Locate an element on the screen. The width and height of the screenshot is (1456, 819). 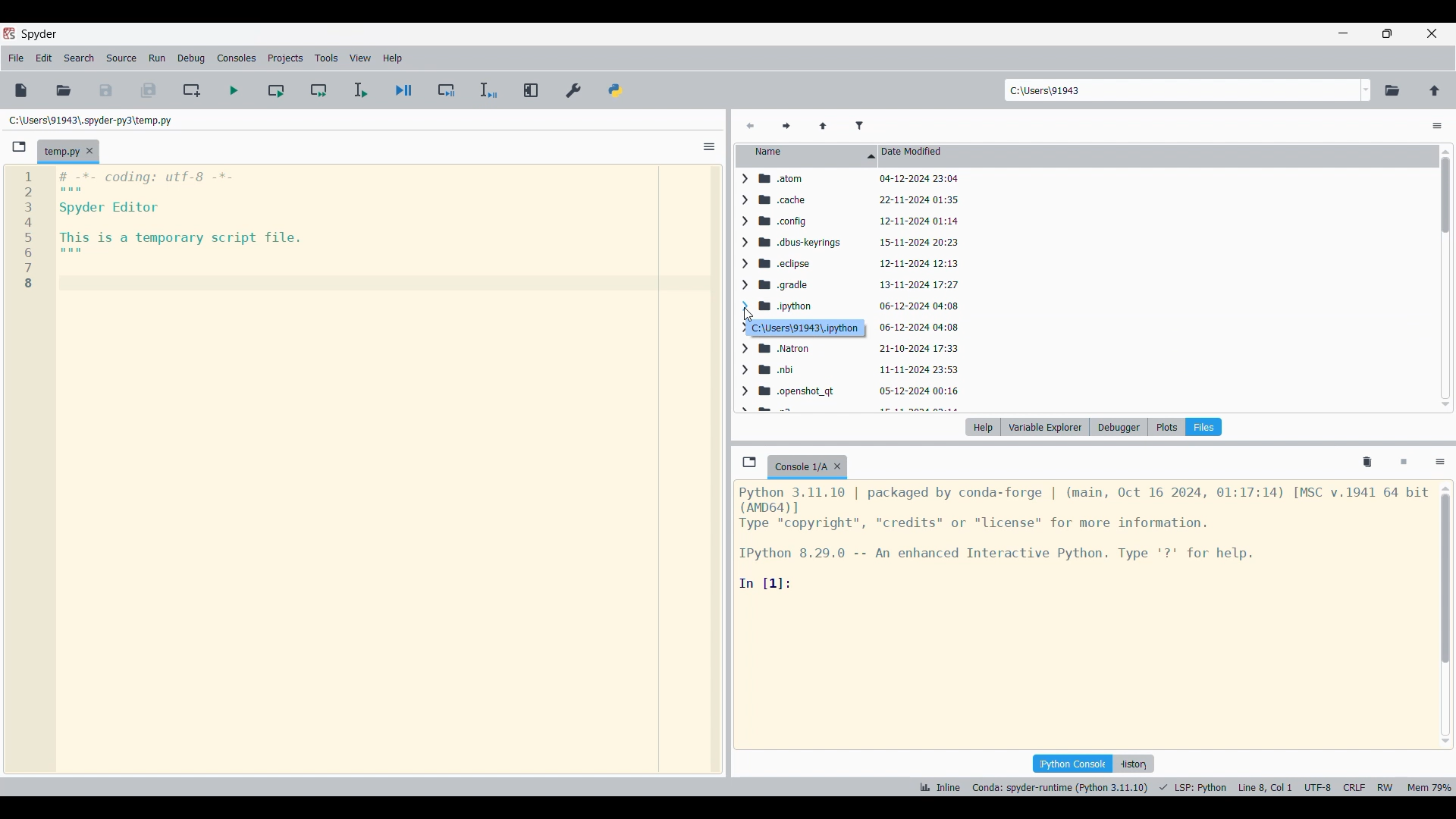
Run current cell and fo to next one is located at coordinates (318, 89).